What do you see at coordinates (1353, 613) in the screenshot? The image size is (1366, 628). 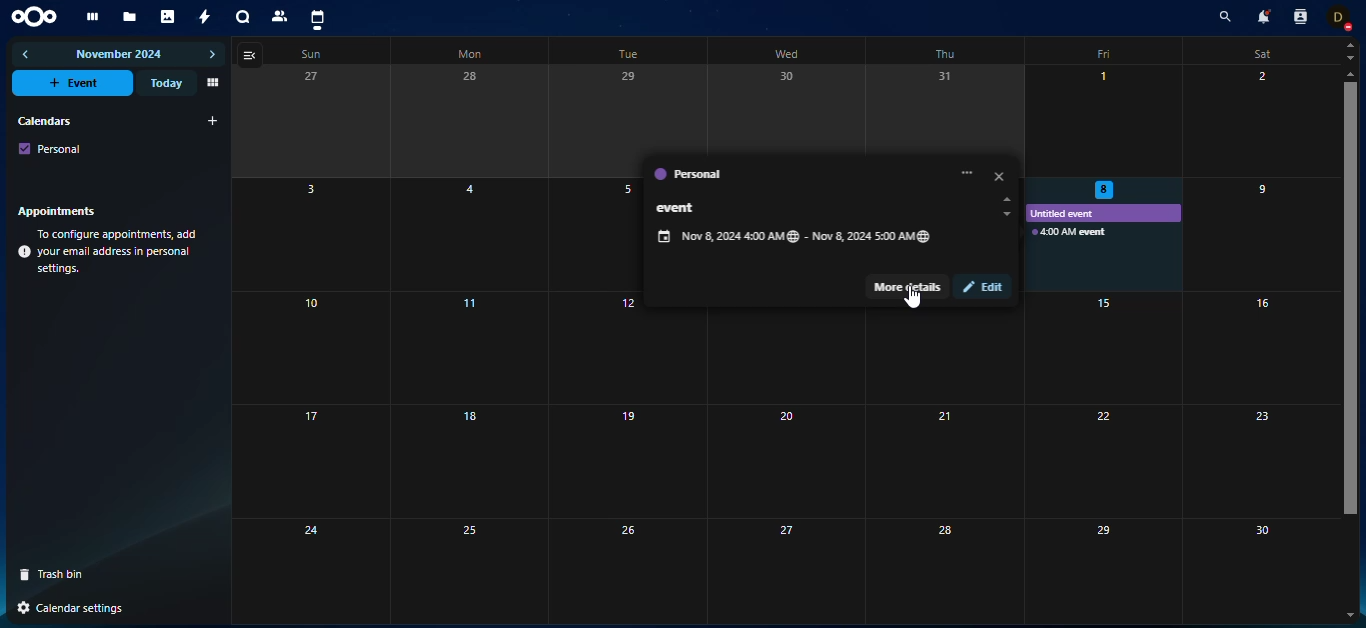 I see `down` at bounding box center [1353, 613].